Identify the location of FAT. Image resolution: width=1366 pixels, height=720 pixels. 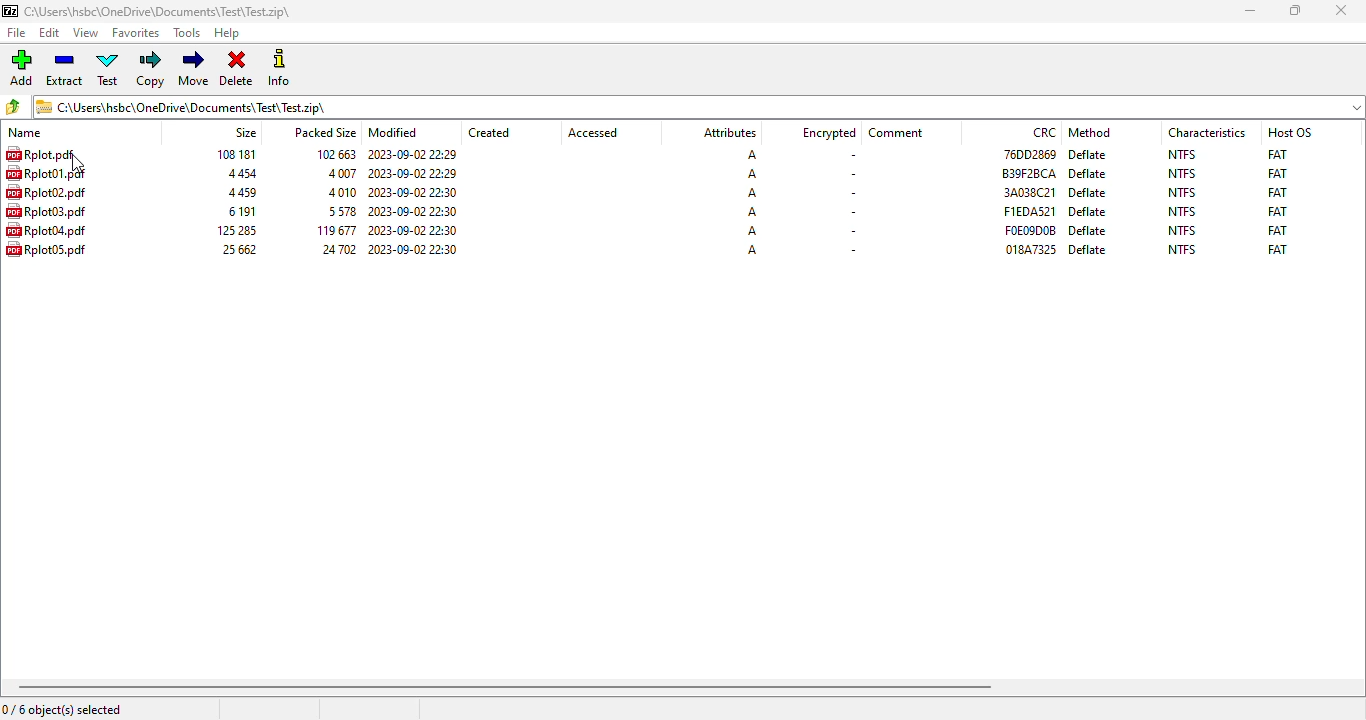
(1277, 230).